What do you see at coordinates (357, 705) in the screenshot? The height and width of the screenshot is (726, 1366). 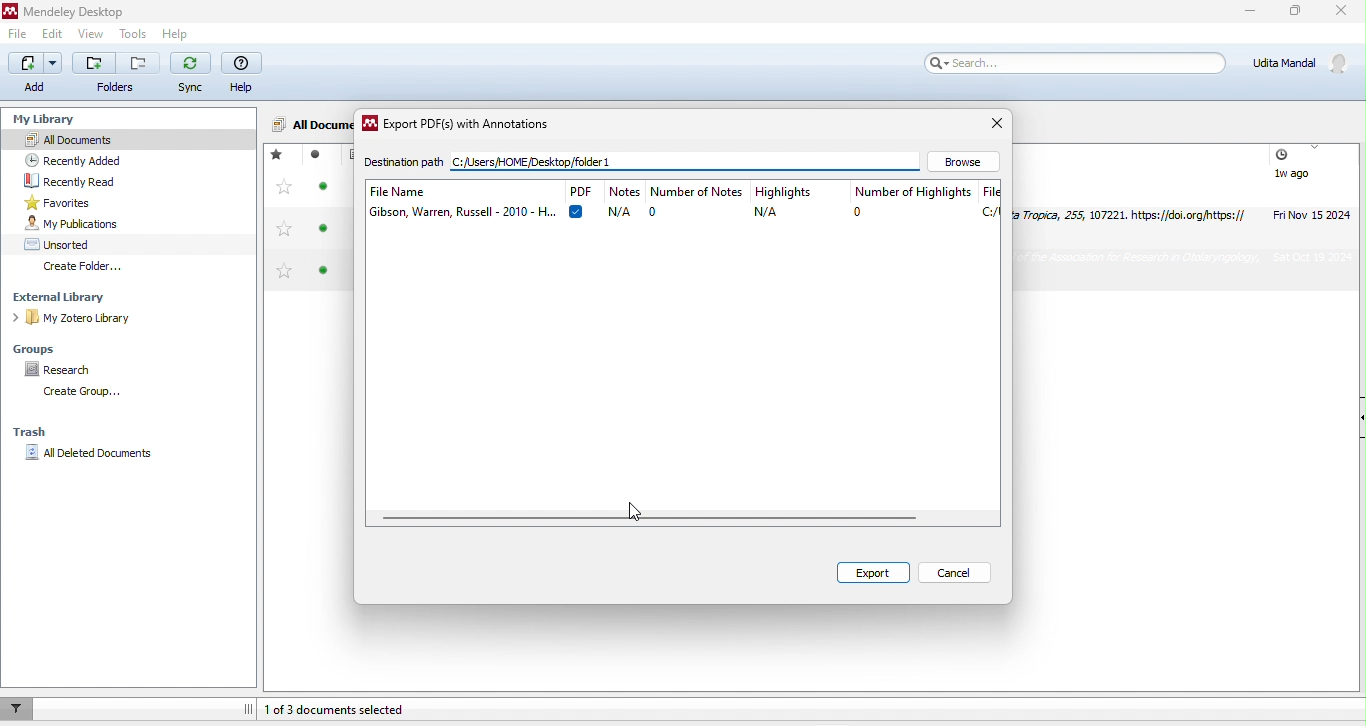 I see `1 of 3 documents selected` at bounding box center [357, 705].